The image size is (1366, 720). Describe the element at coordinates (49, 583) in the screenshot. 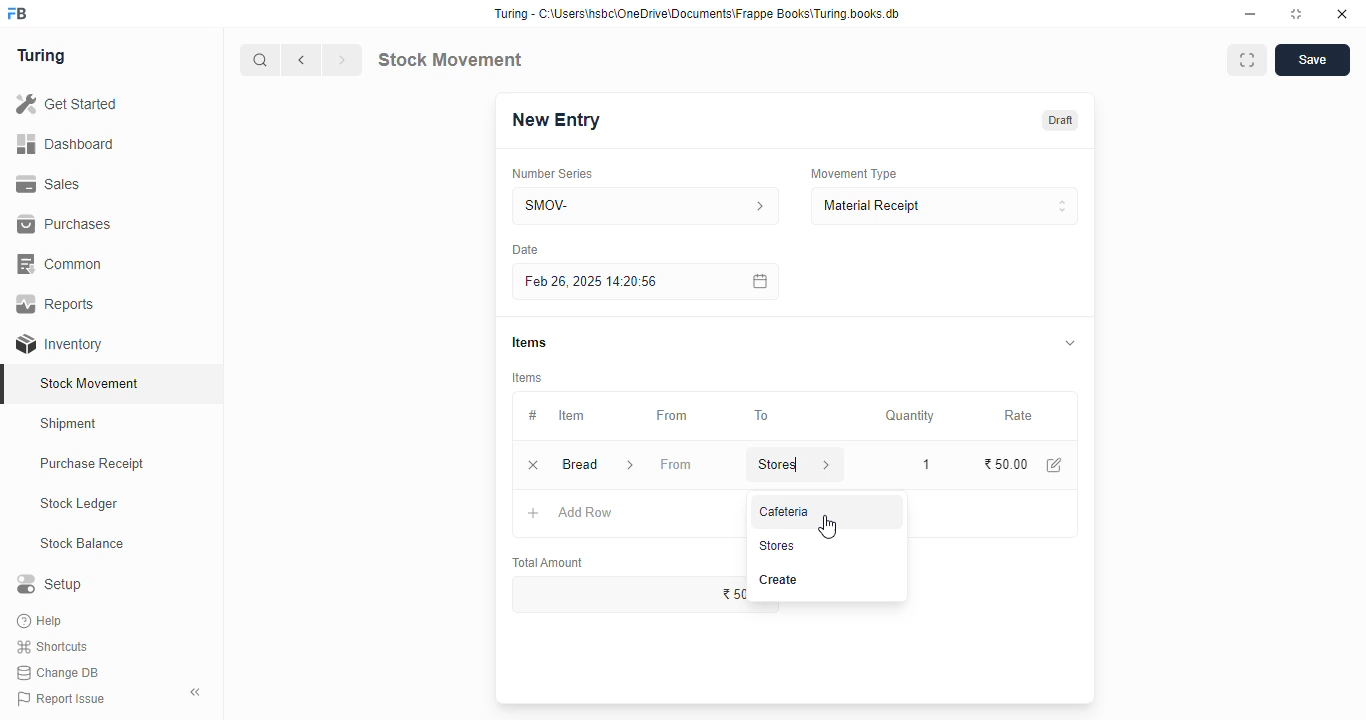

I see `setup` at that location.